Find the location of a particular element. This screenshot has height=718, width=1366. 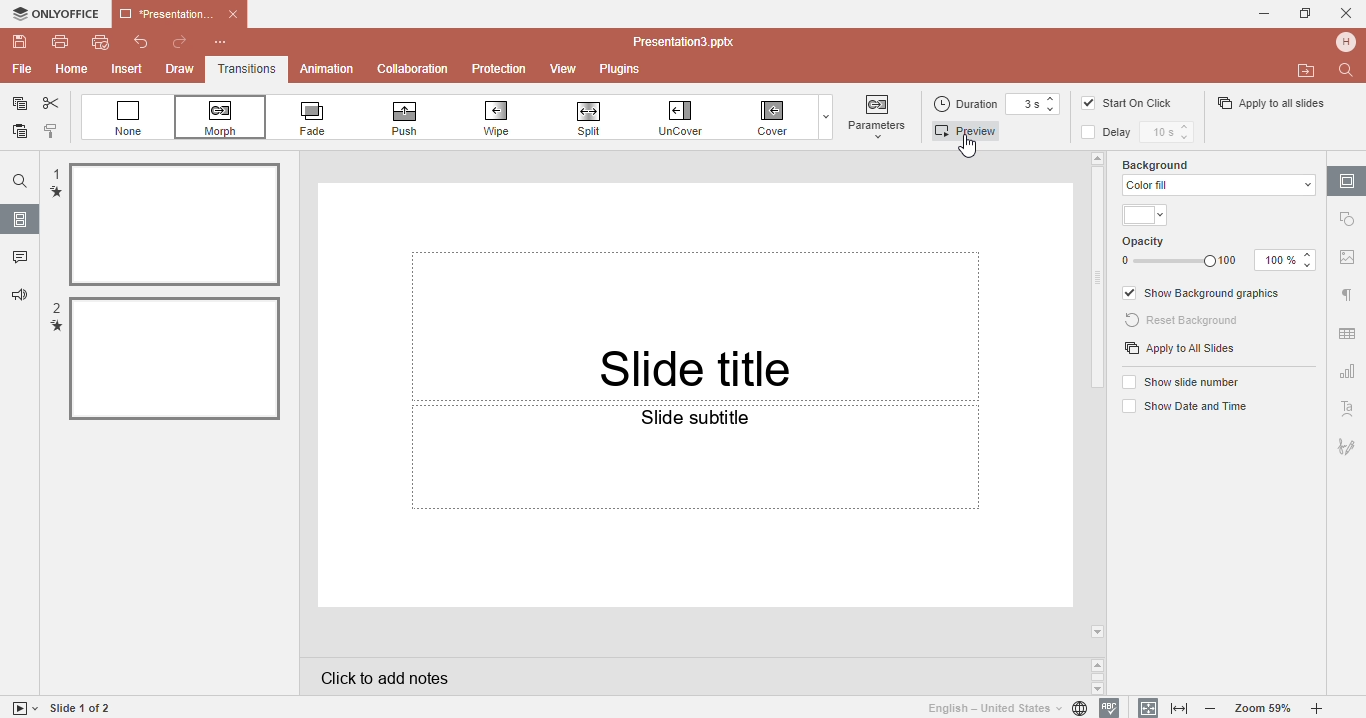

transition mark is located at coordinates (56, 192).